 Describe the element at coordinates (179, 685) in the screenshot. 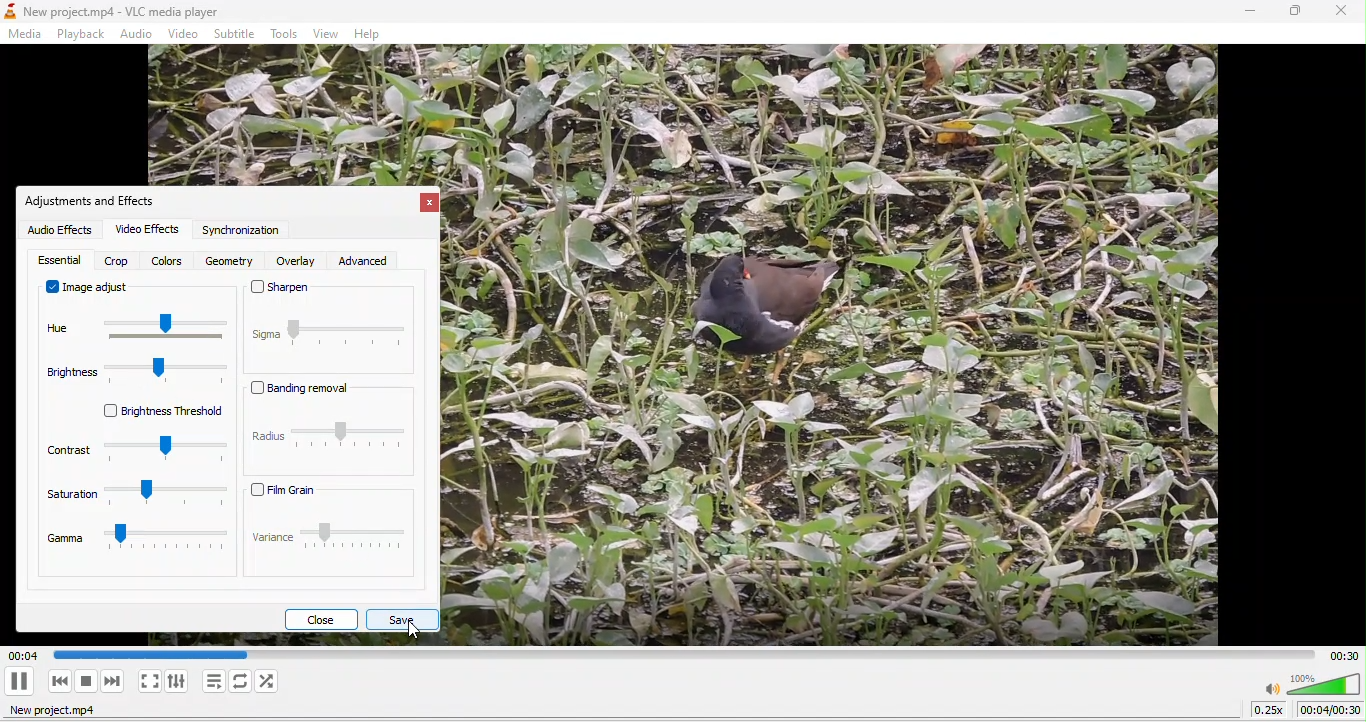

I see `show extended settings` at that location.